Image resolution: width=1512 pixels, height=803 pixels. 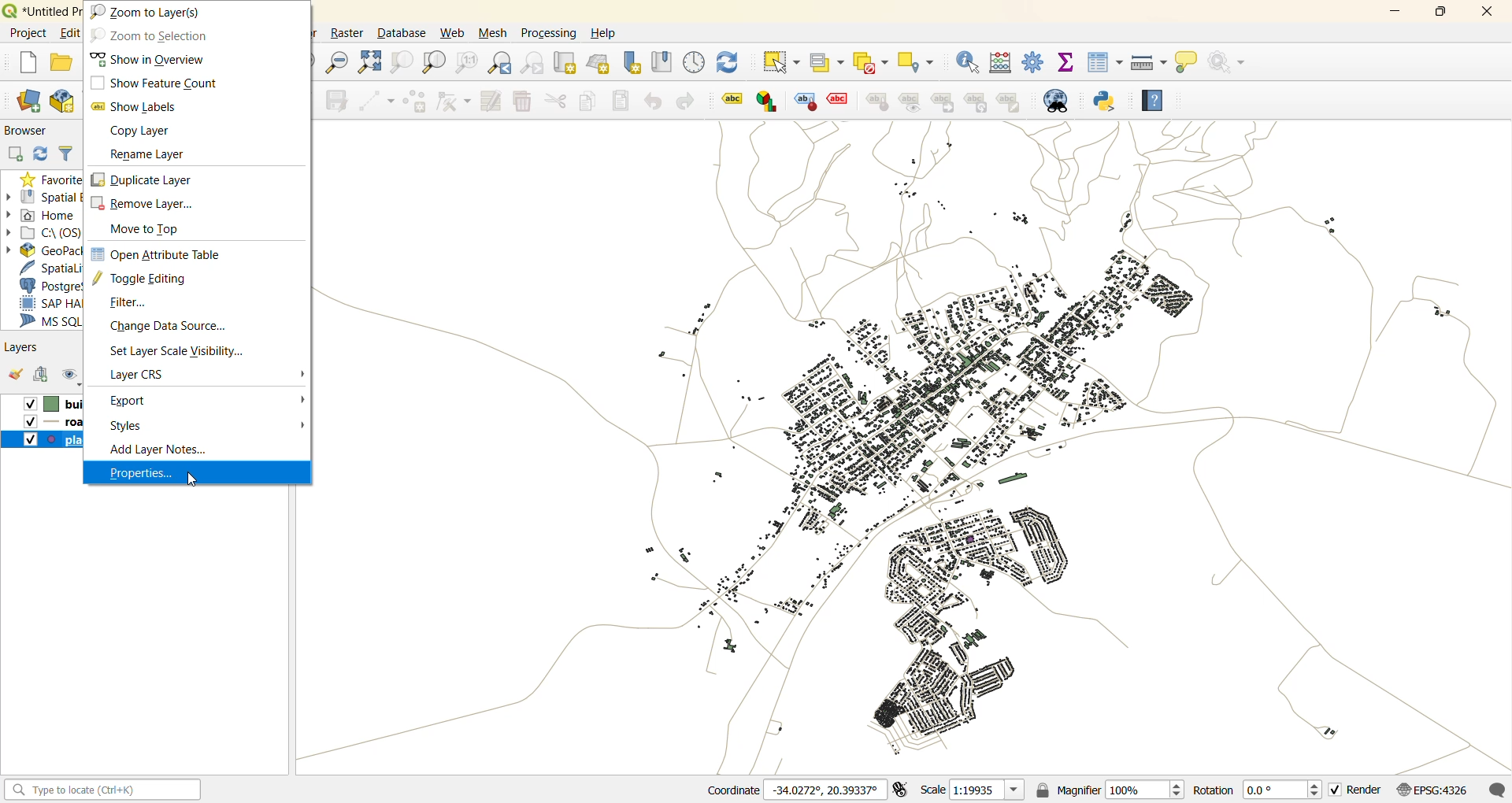 I want to click on select value, so click(x=831, y=63).